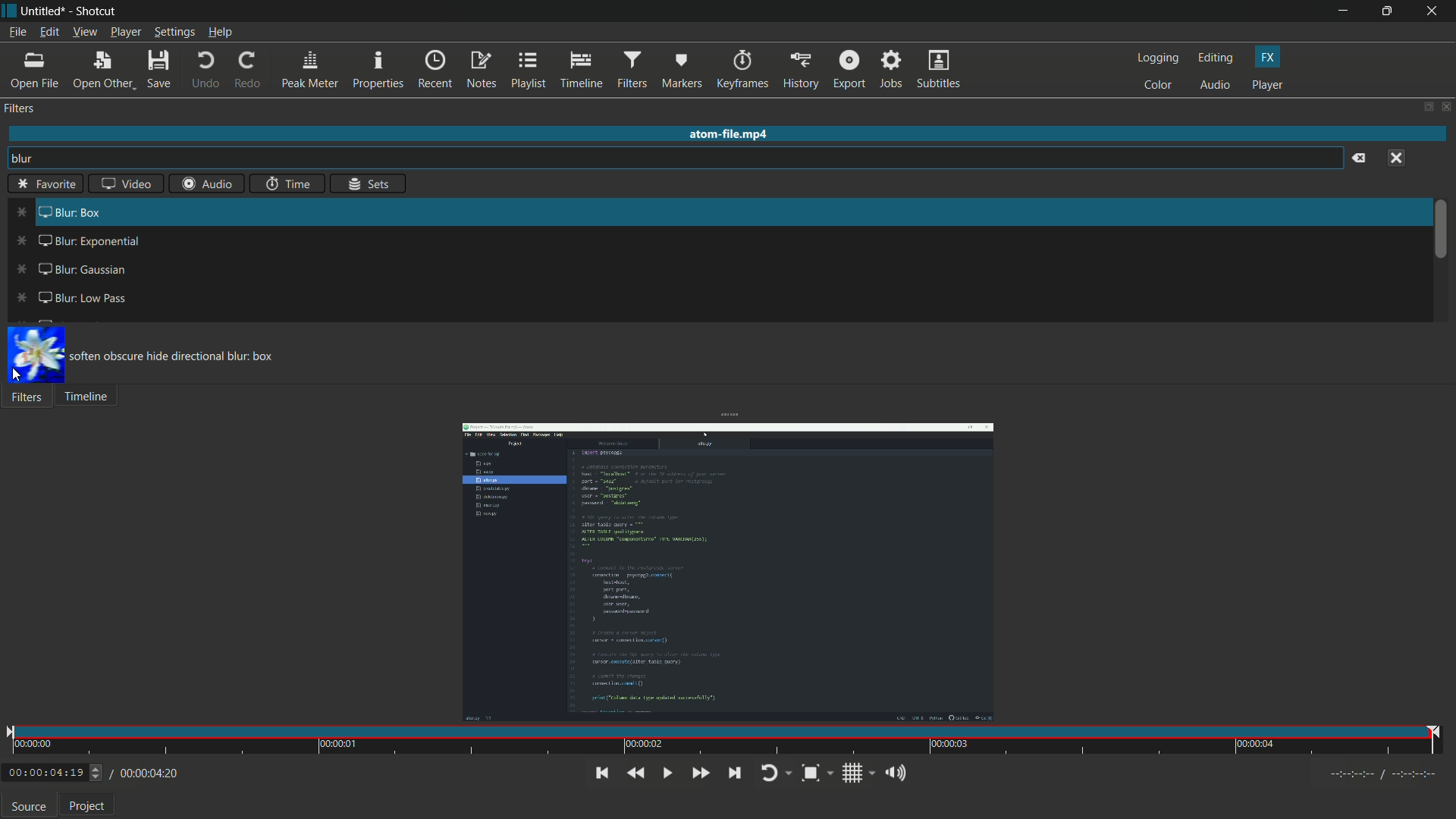  Describe the element at coordinates (17, 375) in the screenshot. I see `cursor` at that location.